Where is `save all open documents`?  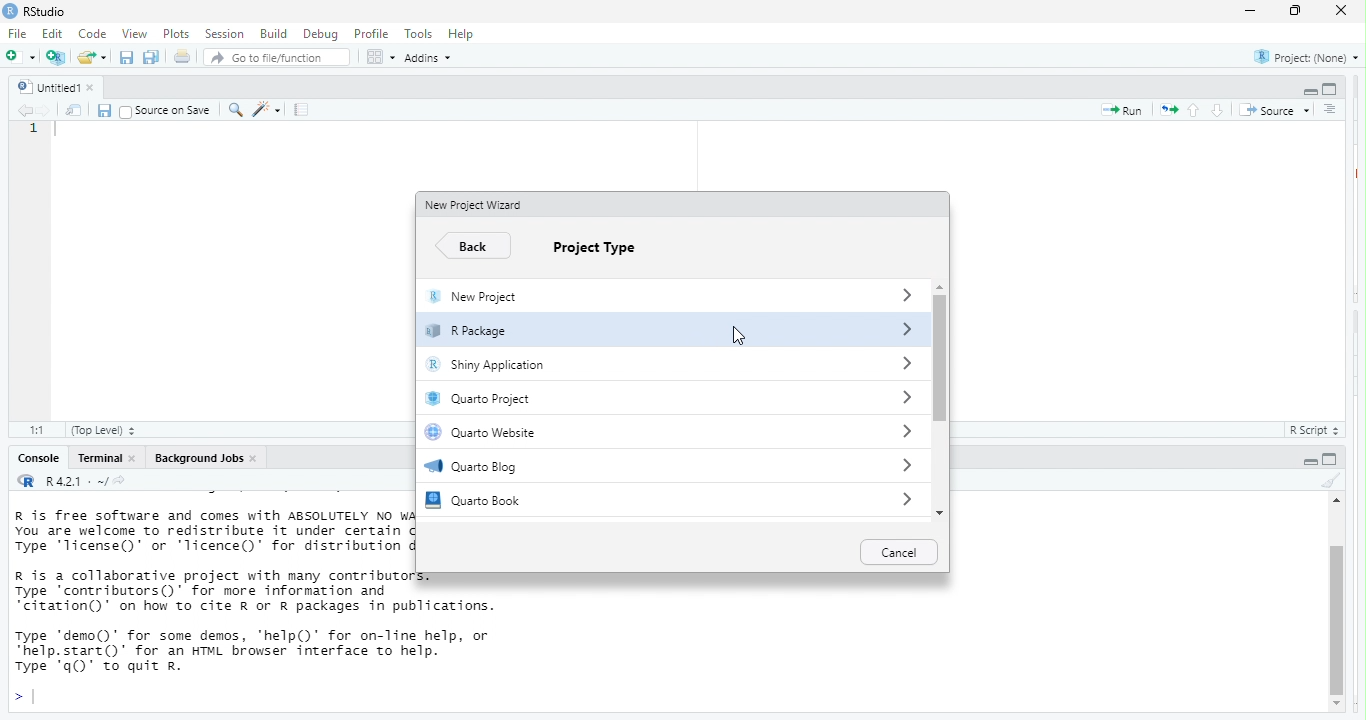
save all open documents is located at coordinates (152, 57).